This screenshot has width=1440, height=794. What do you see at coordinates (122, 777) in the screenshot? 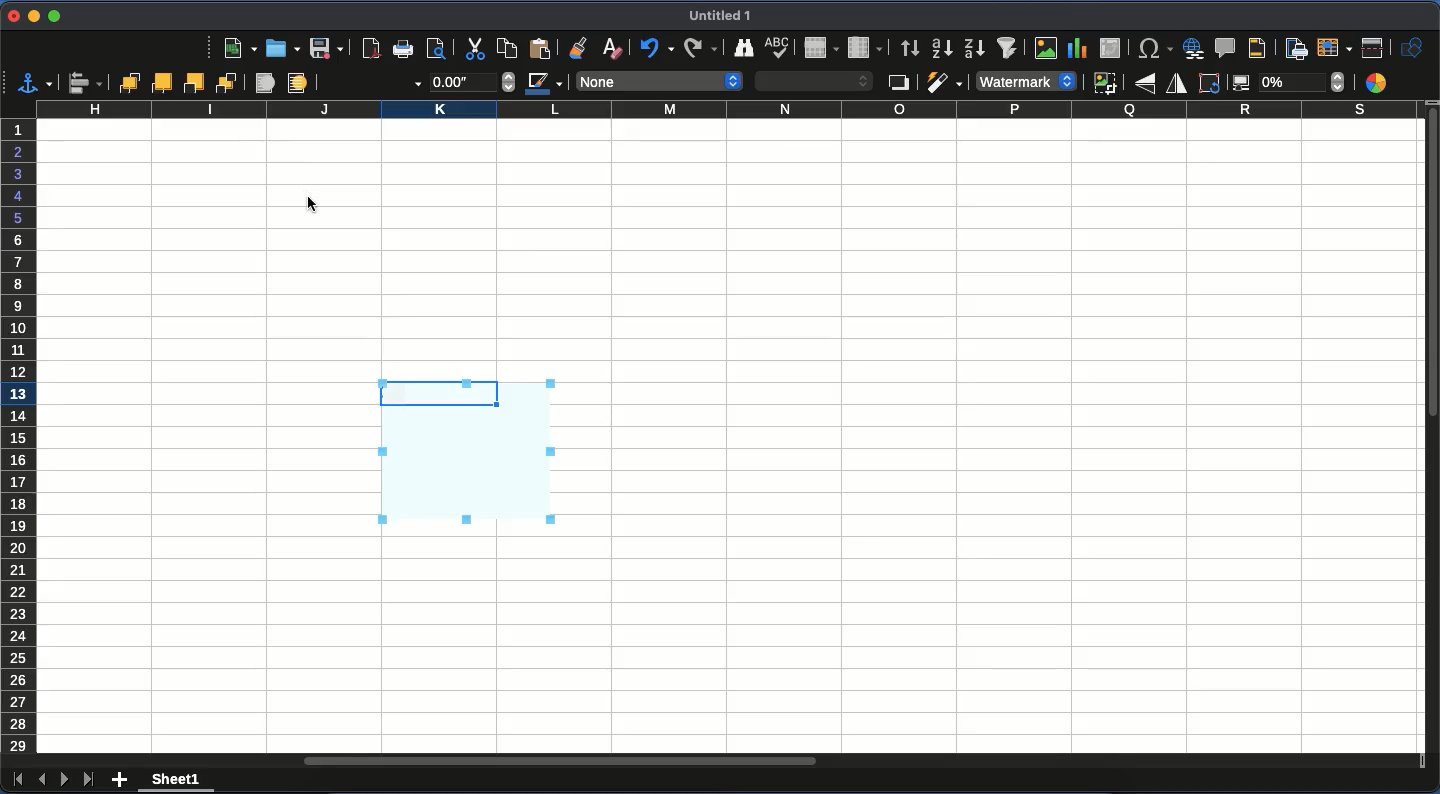
I see `add` at bounding box center [122, 777].